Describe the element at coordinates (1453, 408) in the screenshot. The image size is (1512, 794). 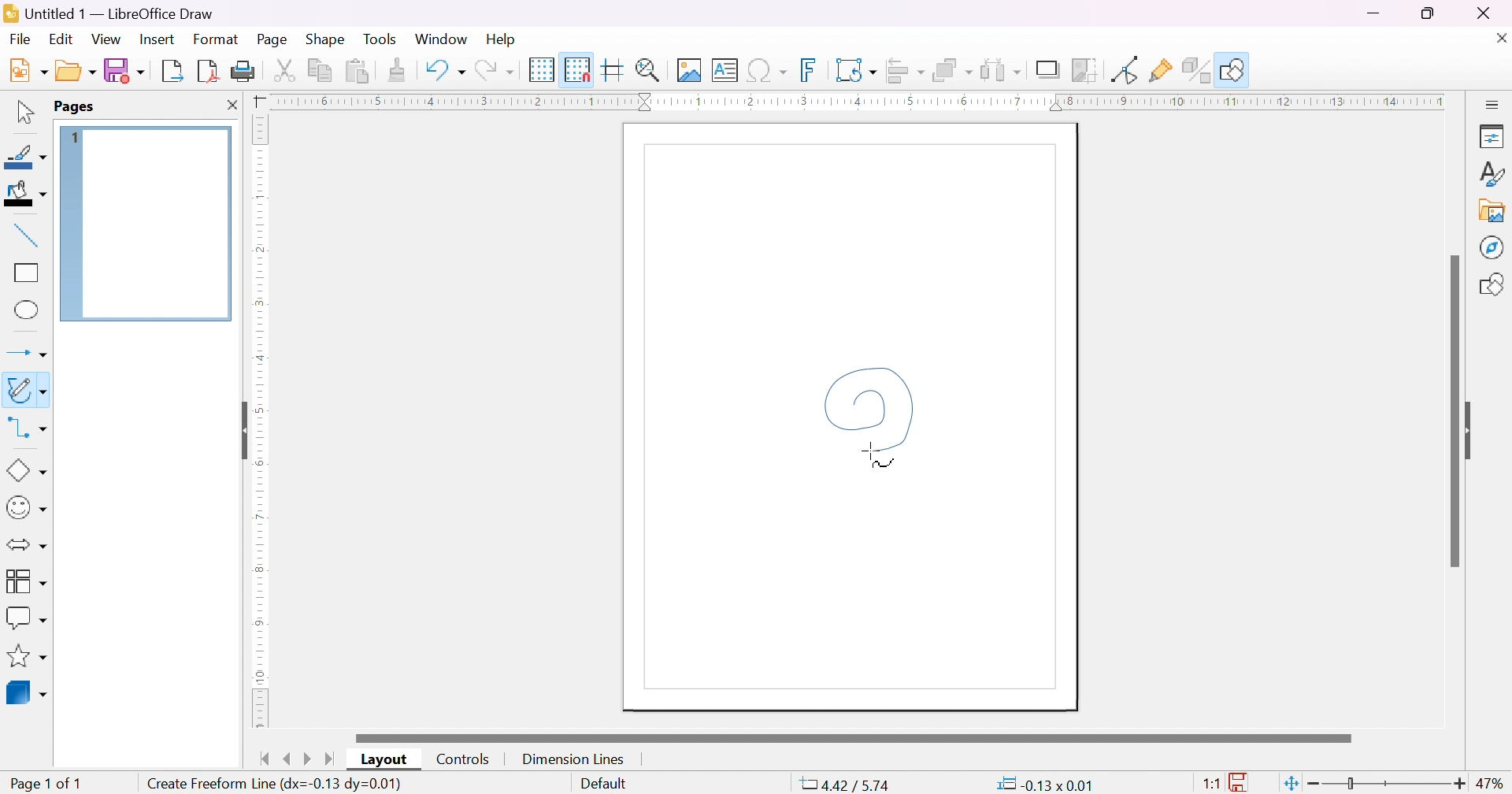
I see `scroll bar` at that location.